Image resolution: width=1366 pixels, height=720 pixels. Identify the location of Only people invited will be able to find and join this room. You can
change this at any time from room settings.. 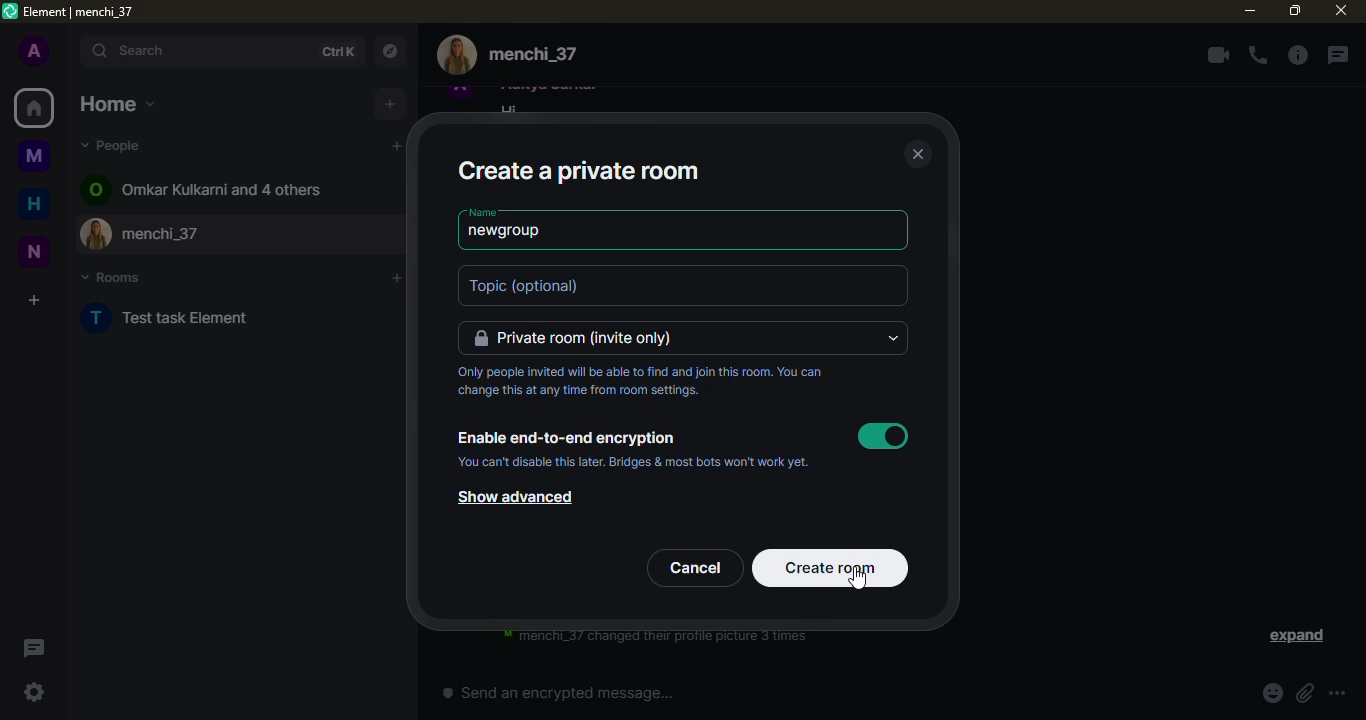
(639, 381).